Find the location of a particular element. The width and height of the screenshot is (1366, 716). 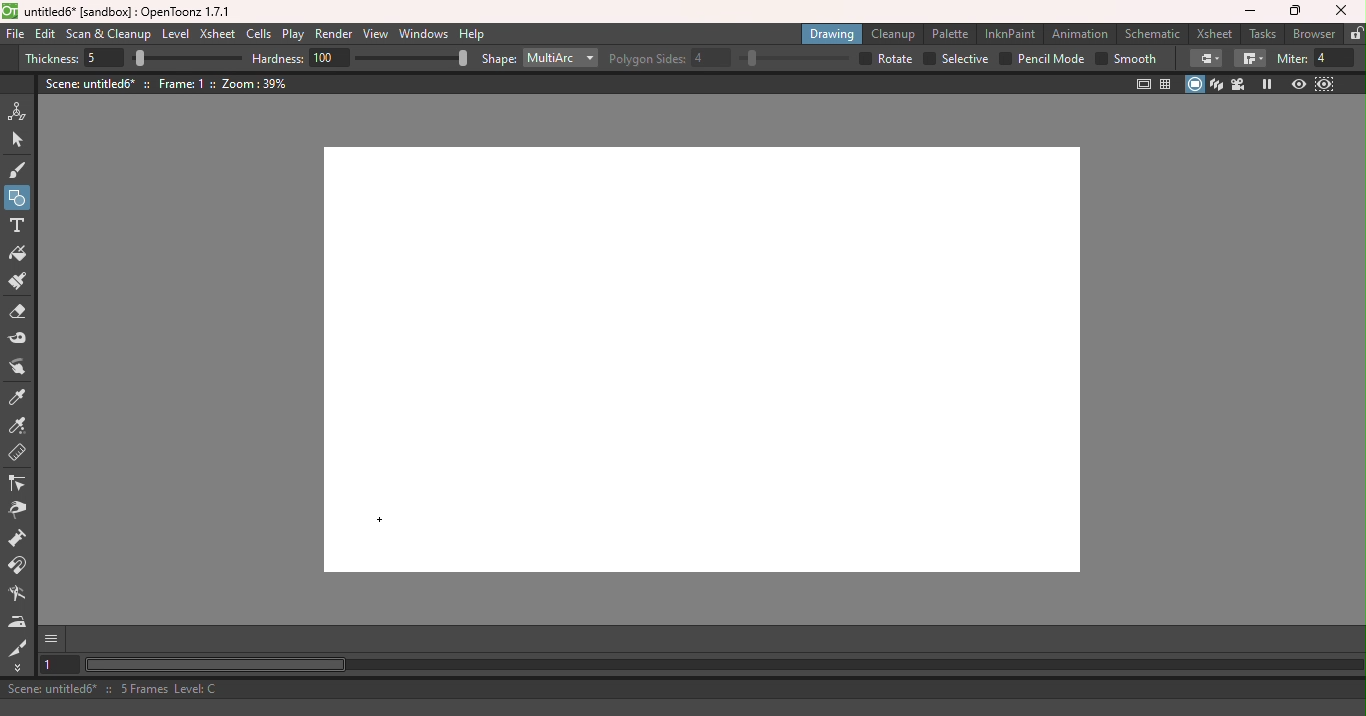

Xsheet is located at coordinates (1214, 33).